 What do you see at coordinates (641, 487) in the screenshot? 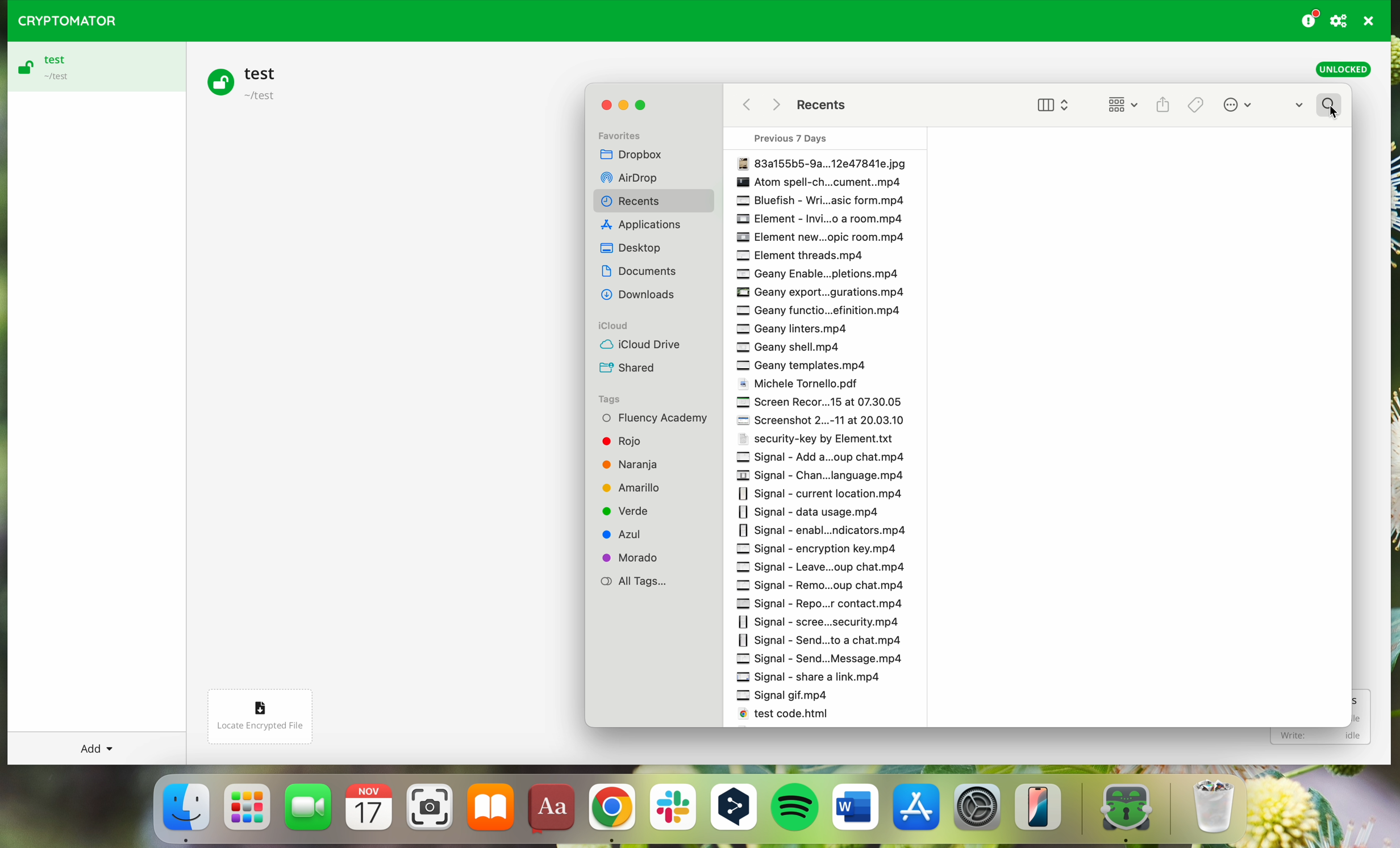
I see `Amarillo` at bounding box center [641, 487].